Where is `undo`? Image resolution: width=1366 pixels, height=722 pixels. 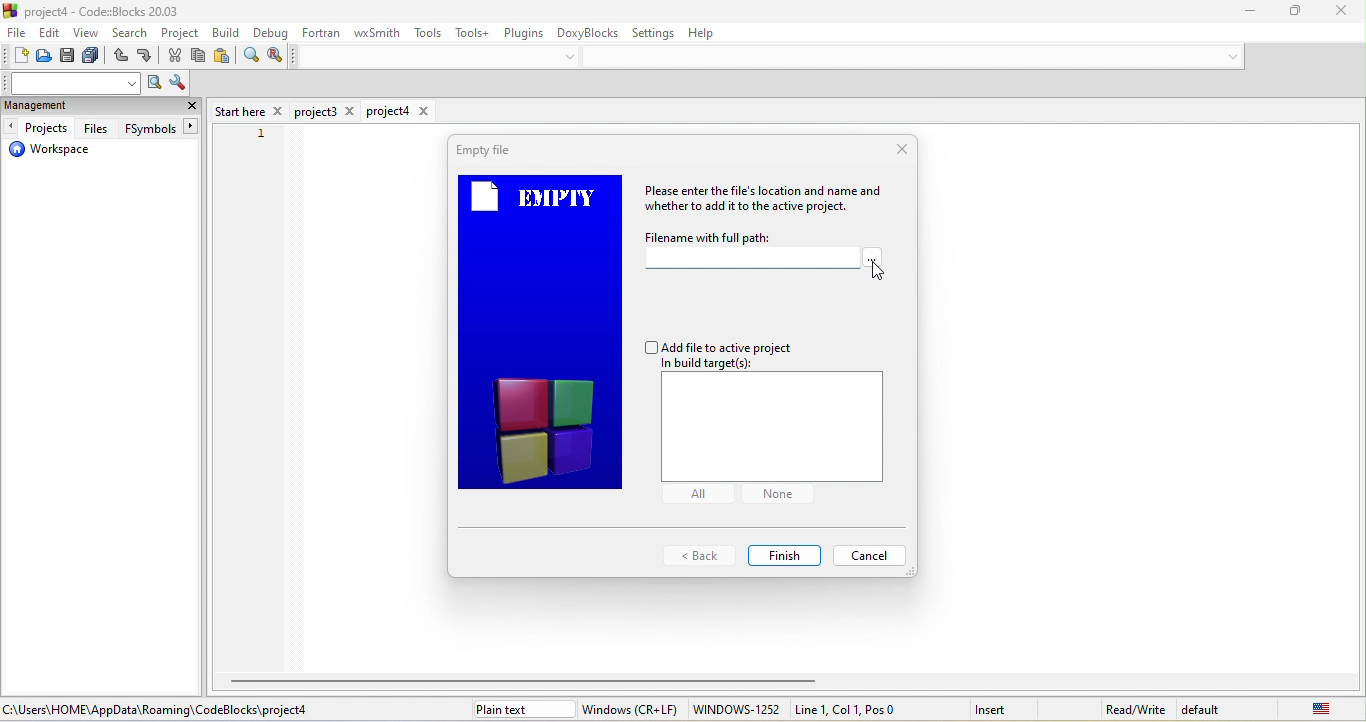 undo is located at coordinates (120, 58).